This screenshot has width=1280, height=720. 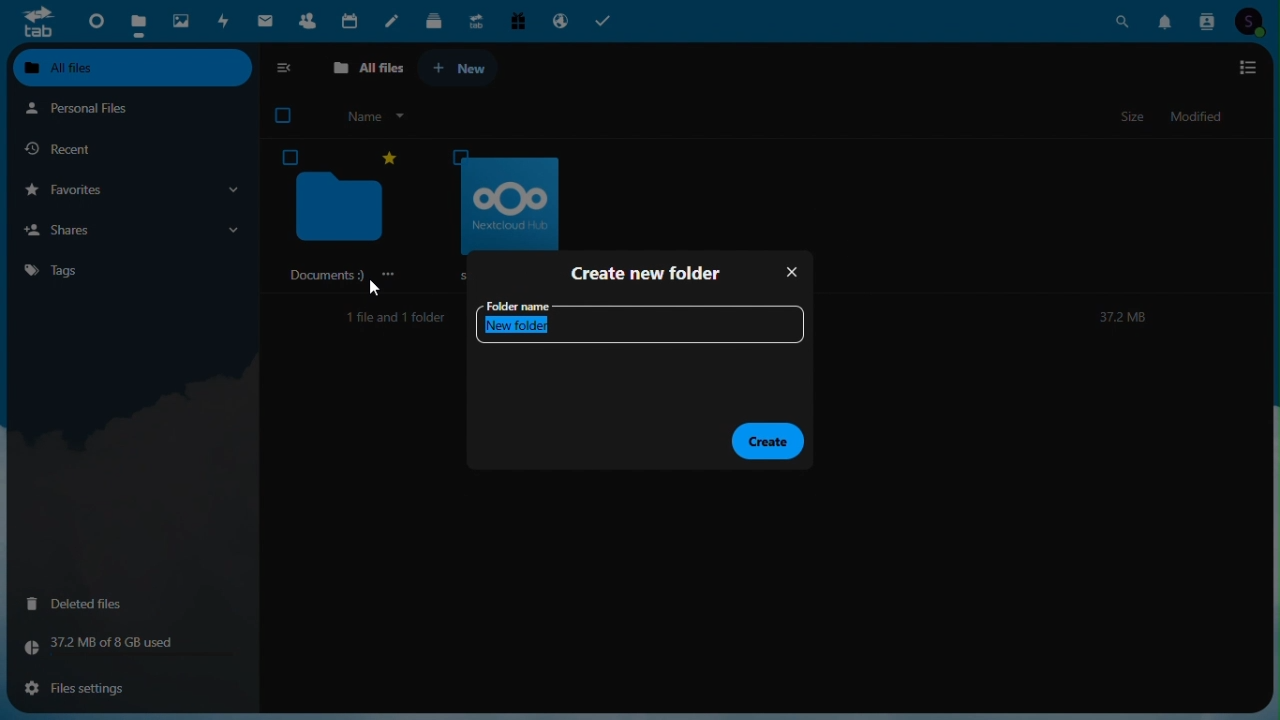 What do you see at coordinates (646, 273) in the screenshot?
I see `Create new folder` at bounding box center [646, 273].